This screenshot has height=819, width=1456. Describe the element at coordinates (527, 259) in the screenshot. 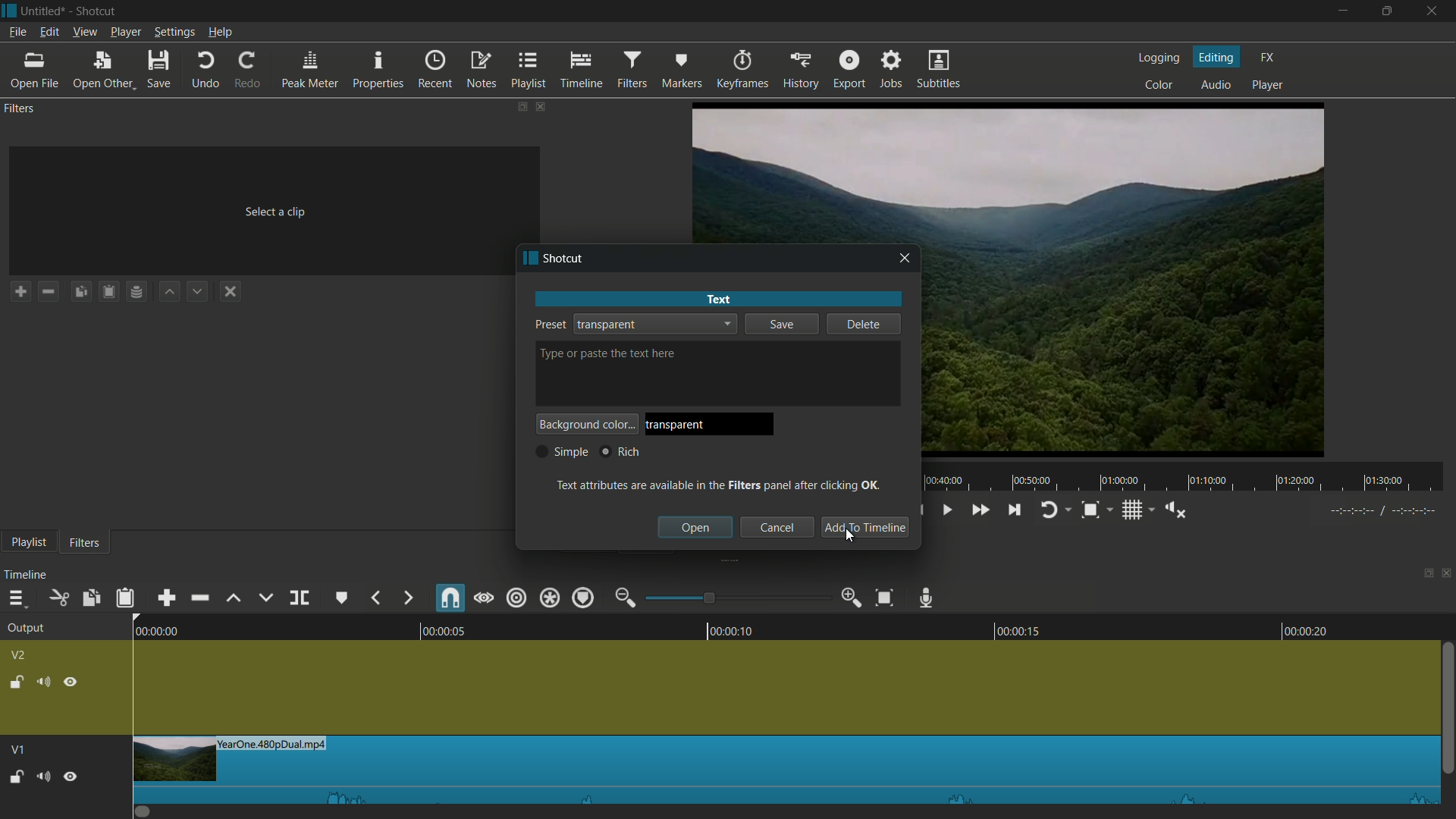

I see `app icon` at that location.